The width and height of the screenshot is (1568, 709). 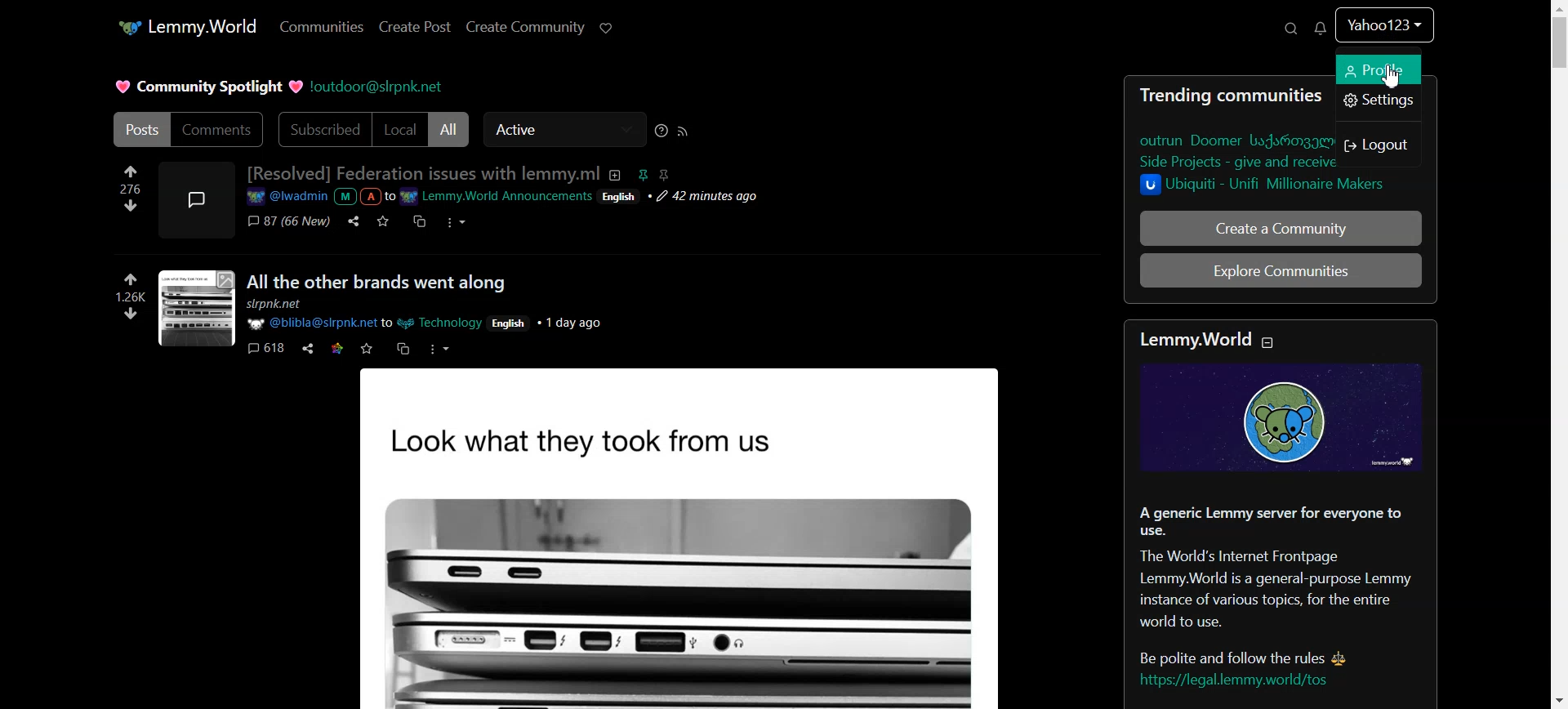 I want to click on cross post, so click(x=418, y=221).